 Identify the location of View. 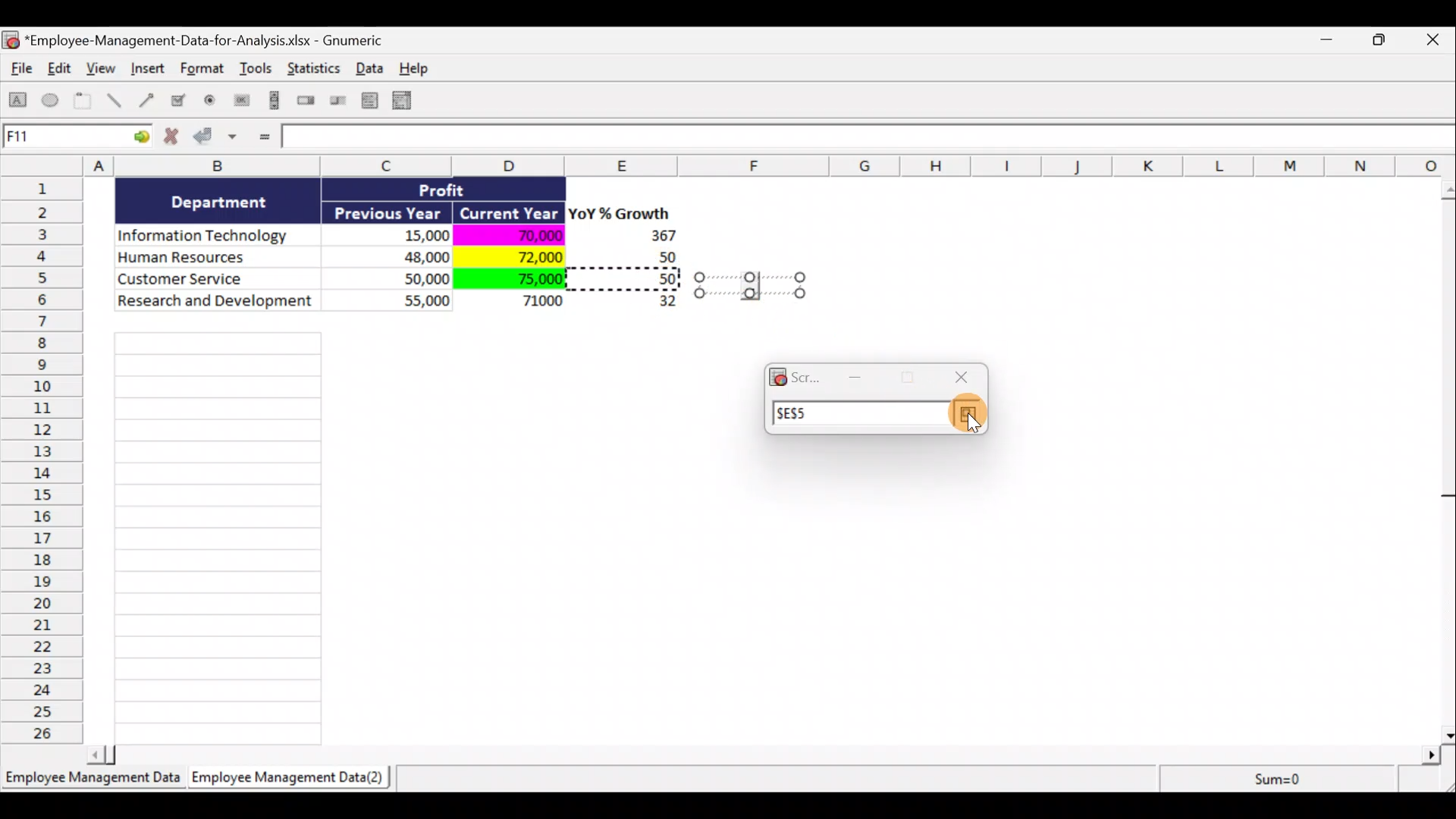
(103, 68).